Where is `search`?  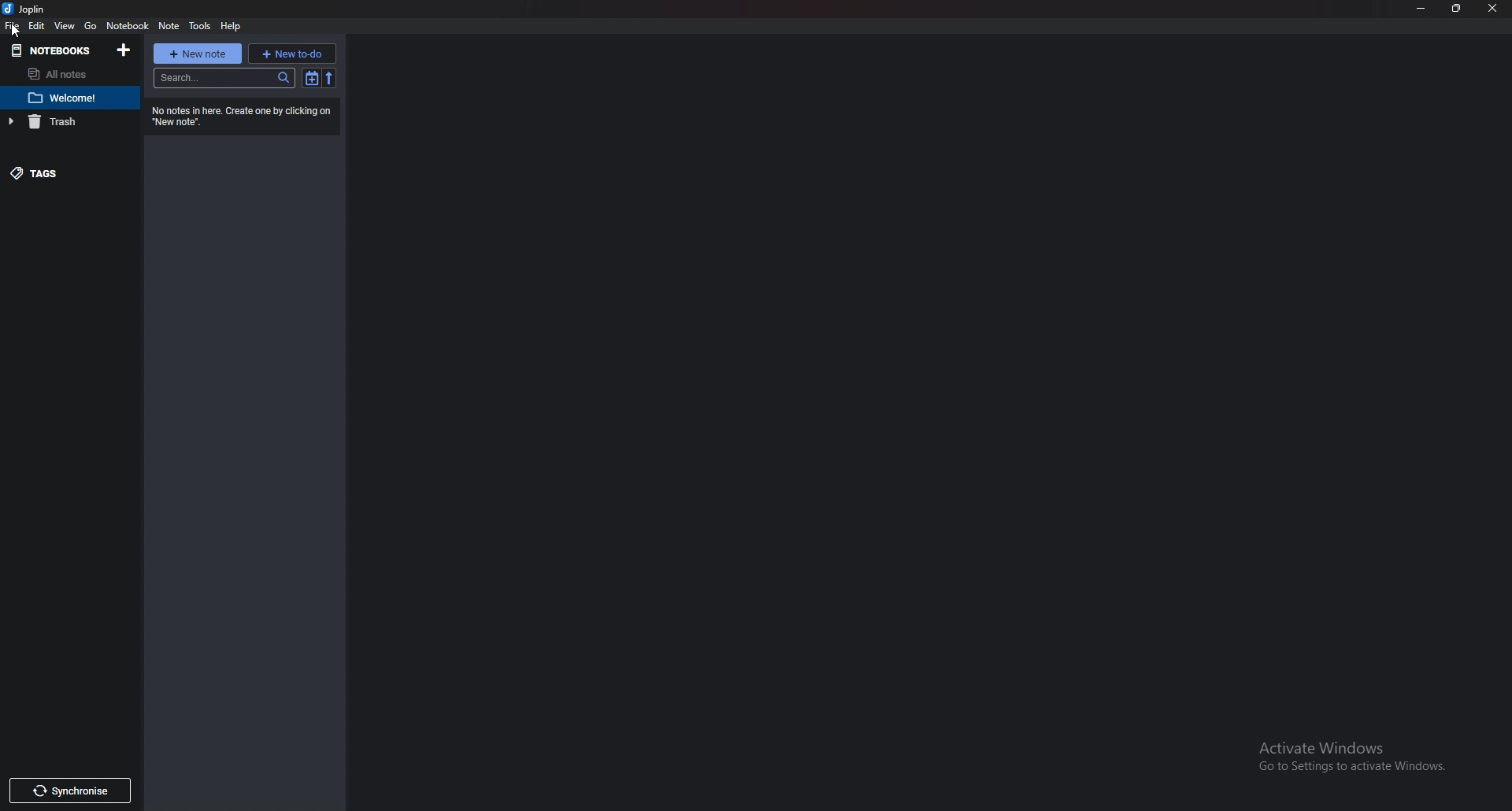
search is located at coordinates (225, 78).